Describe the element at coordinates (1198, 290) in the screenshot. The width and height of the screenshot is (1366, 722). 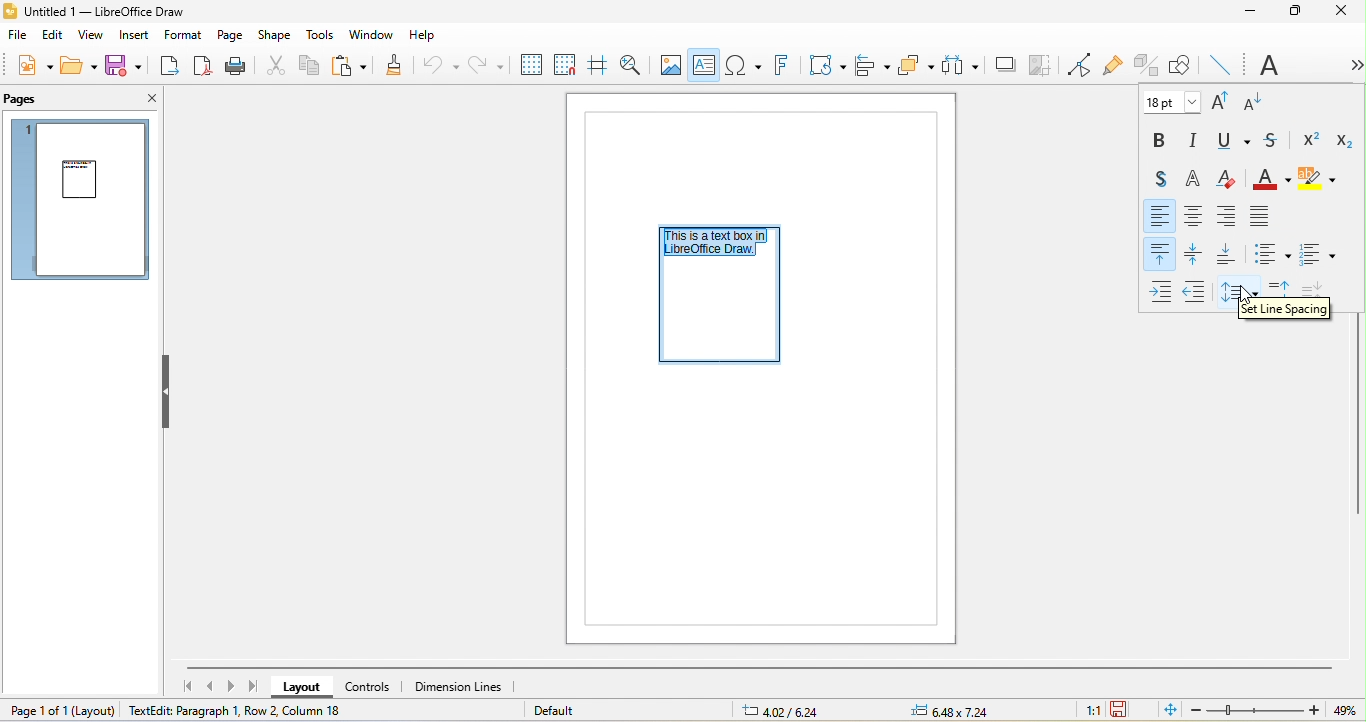
I see `decrease indent` at that location.